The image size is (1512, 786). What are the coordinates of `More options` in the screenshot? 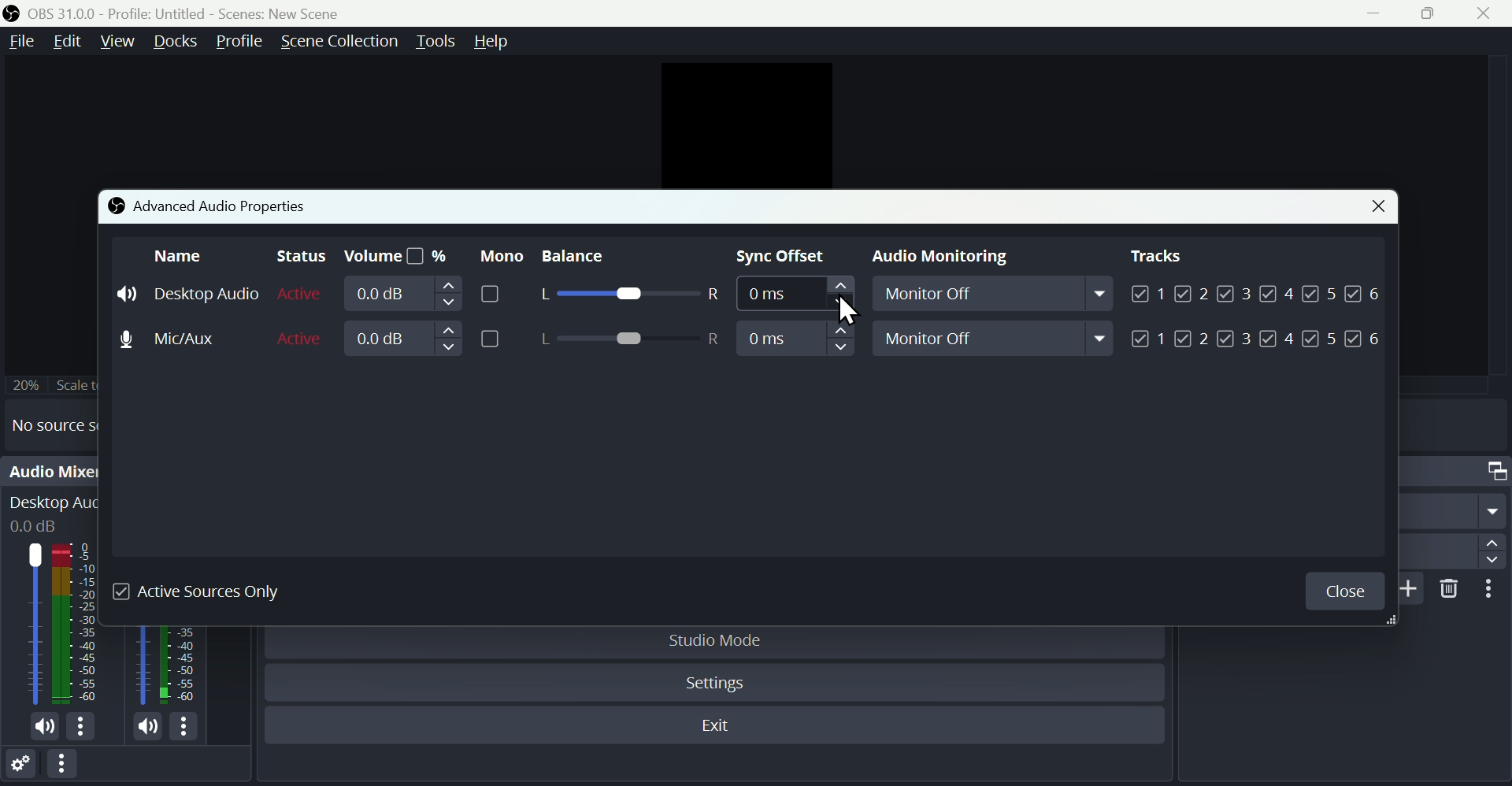 It's located at (82, 727).